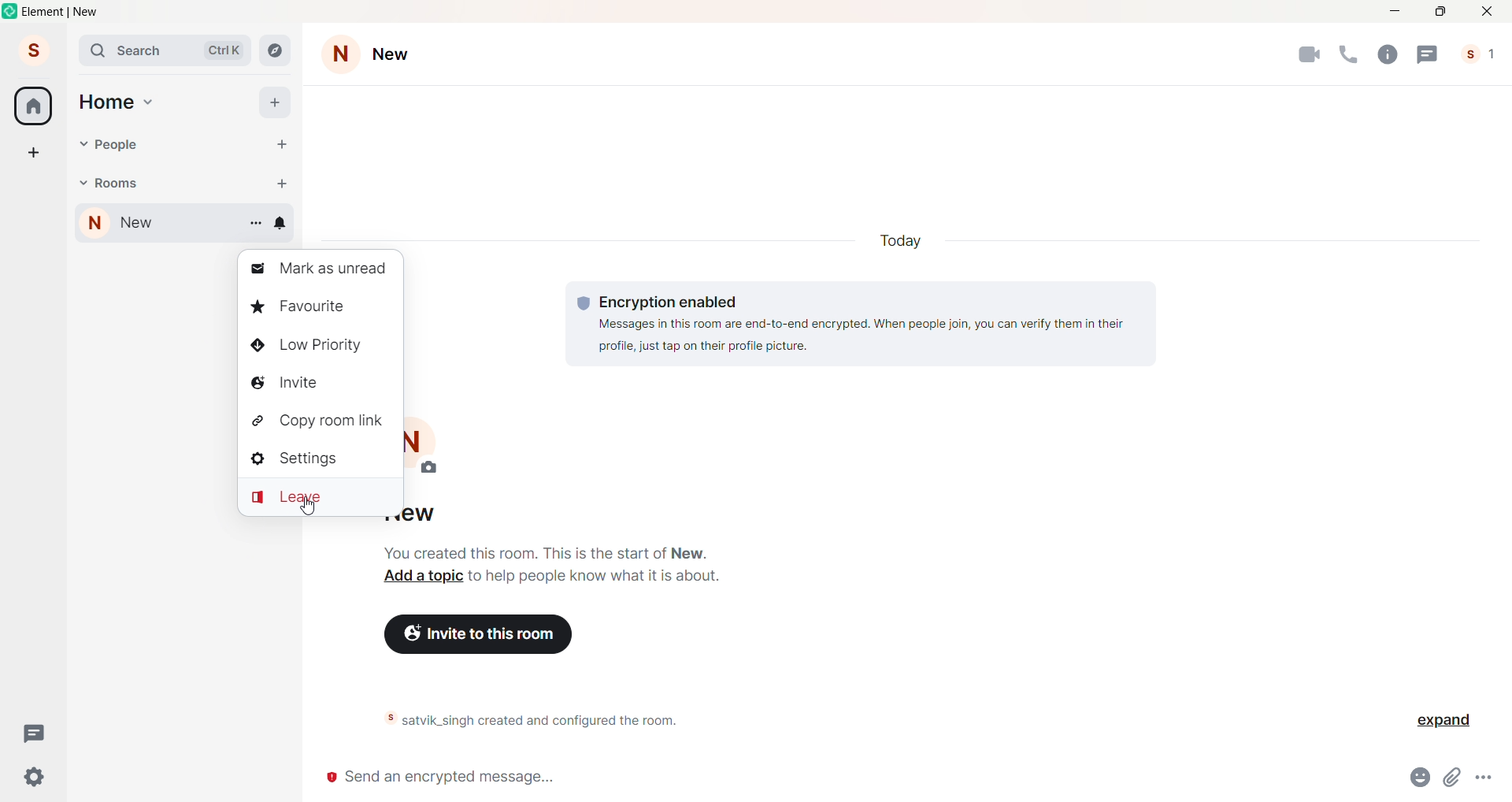 This screenshot has width=1512, height=802. I want to click on People, so click(118, 145).